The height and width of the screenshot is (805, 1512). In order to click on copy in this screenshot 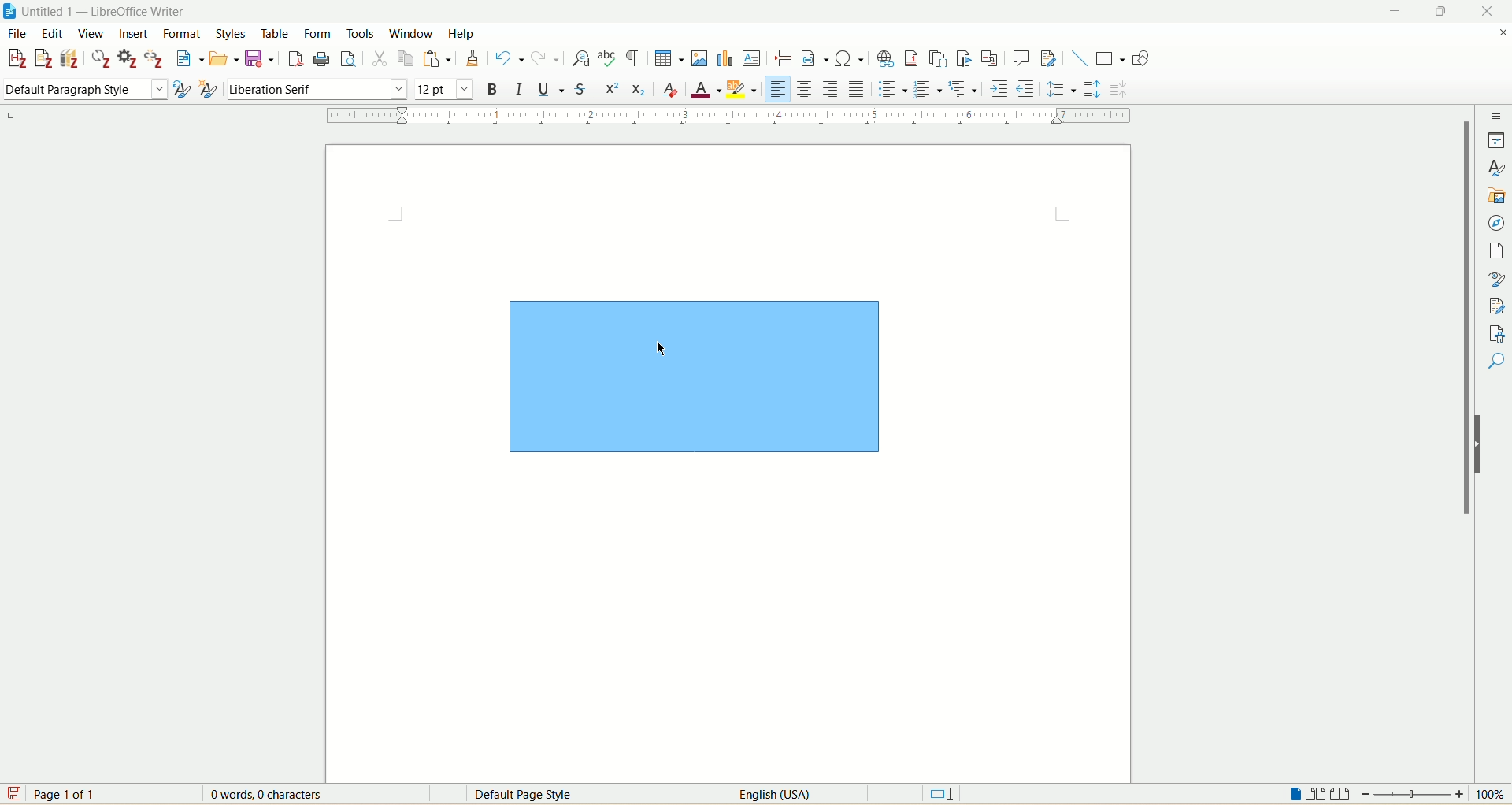, I will do `click(403, 58)`.